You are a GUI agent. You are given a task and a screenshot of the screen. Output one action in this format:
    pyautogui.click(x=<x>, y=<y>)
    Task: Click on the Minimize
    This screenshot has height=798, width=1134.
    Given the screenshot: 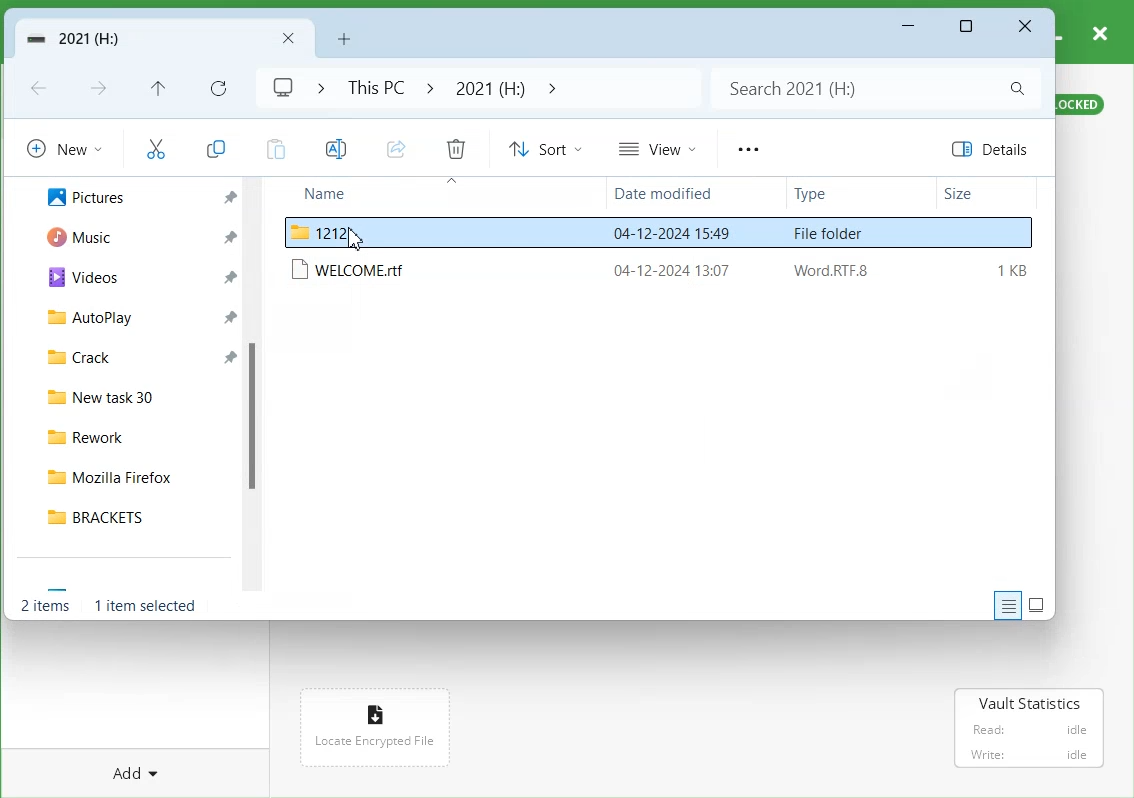 What is the action you would take?
    pyautogui.click(x=909, y=27)
    